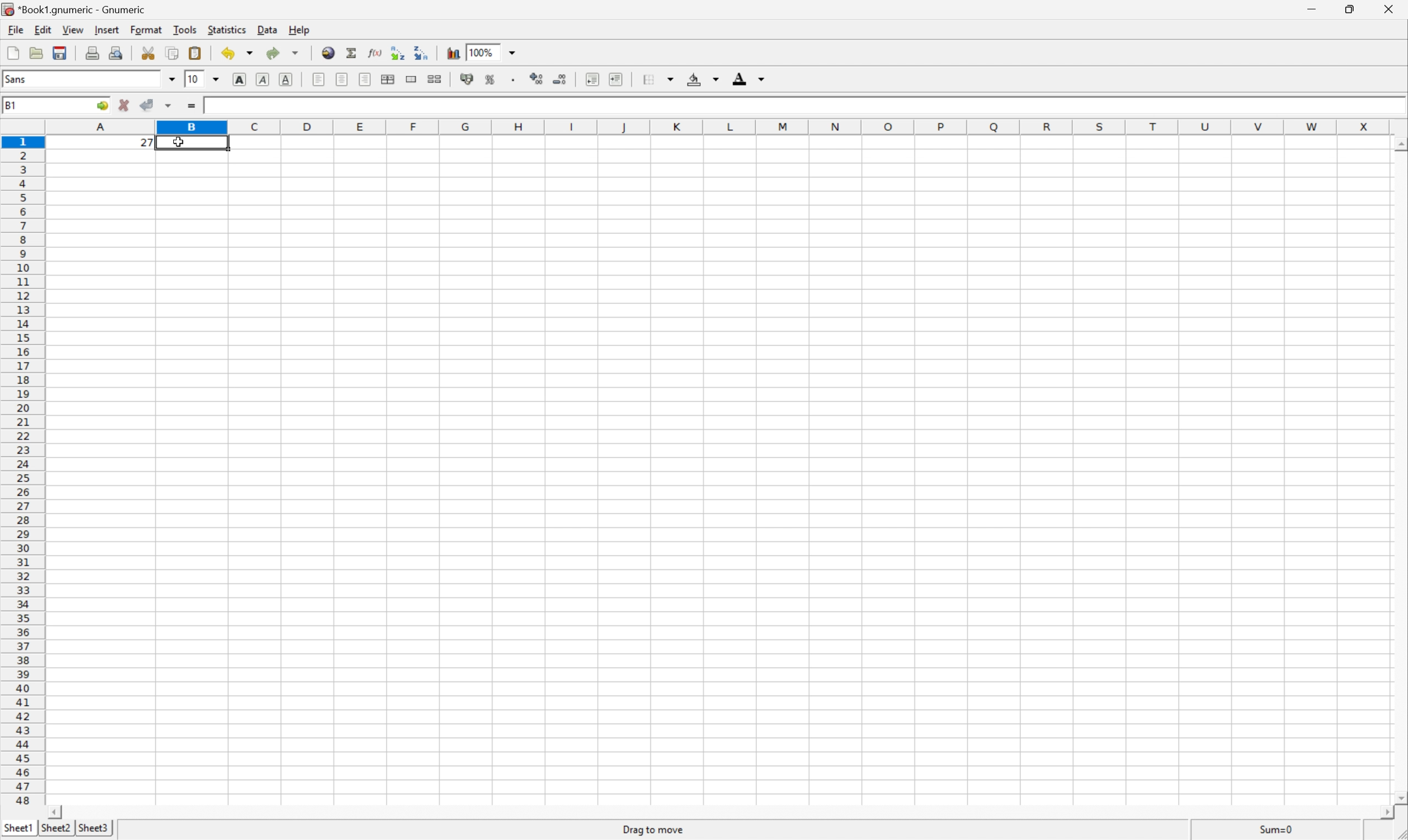  Describe the element at coordinates (467, 78) in the screenshot. I see `Format the selection as accounting` at that location.